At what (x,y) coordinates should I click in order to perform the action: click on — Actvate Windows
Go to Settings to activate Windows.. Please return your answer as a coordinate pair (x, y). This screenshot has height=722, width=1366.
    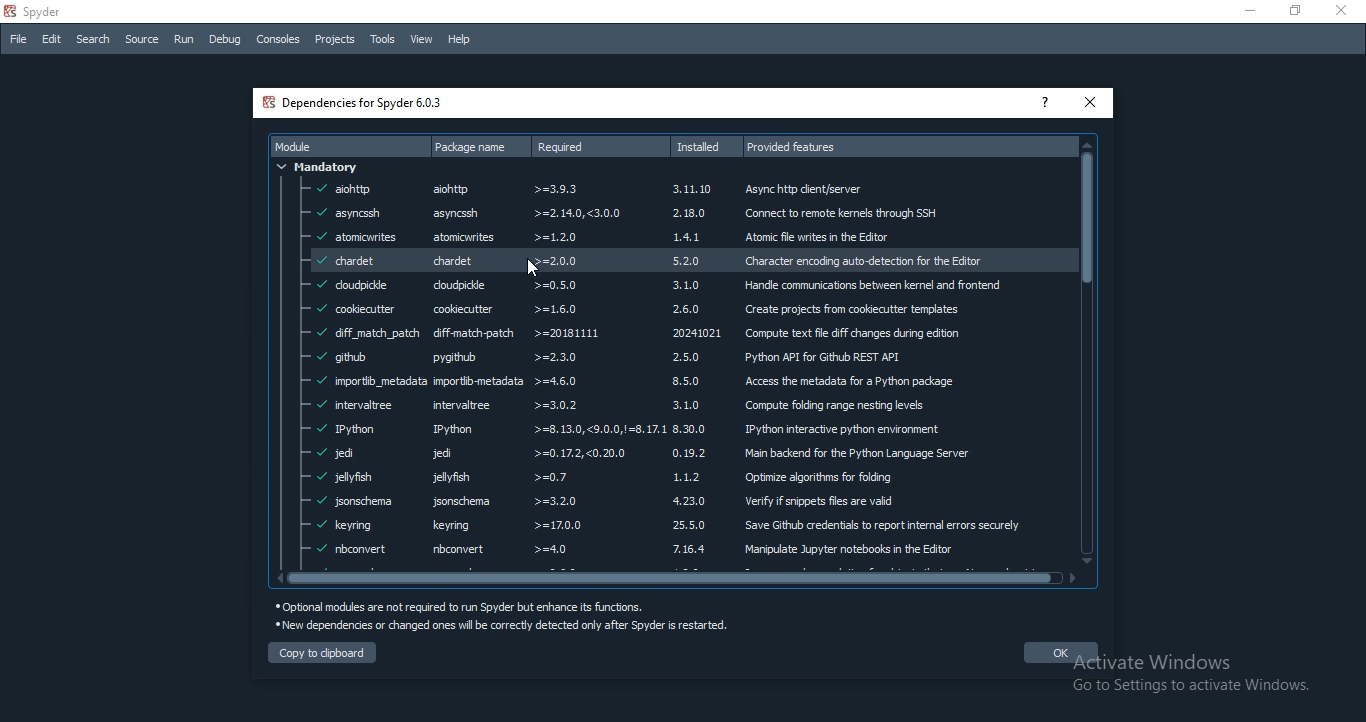
    Looking at the image, I should click on (1198, 675).